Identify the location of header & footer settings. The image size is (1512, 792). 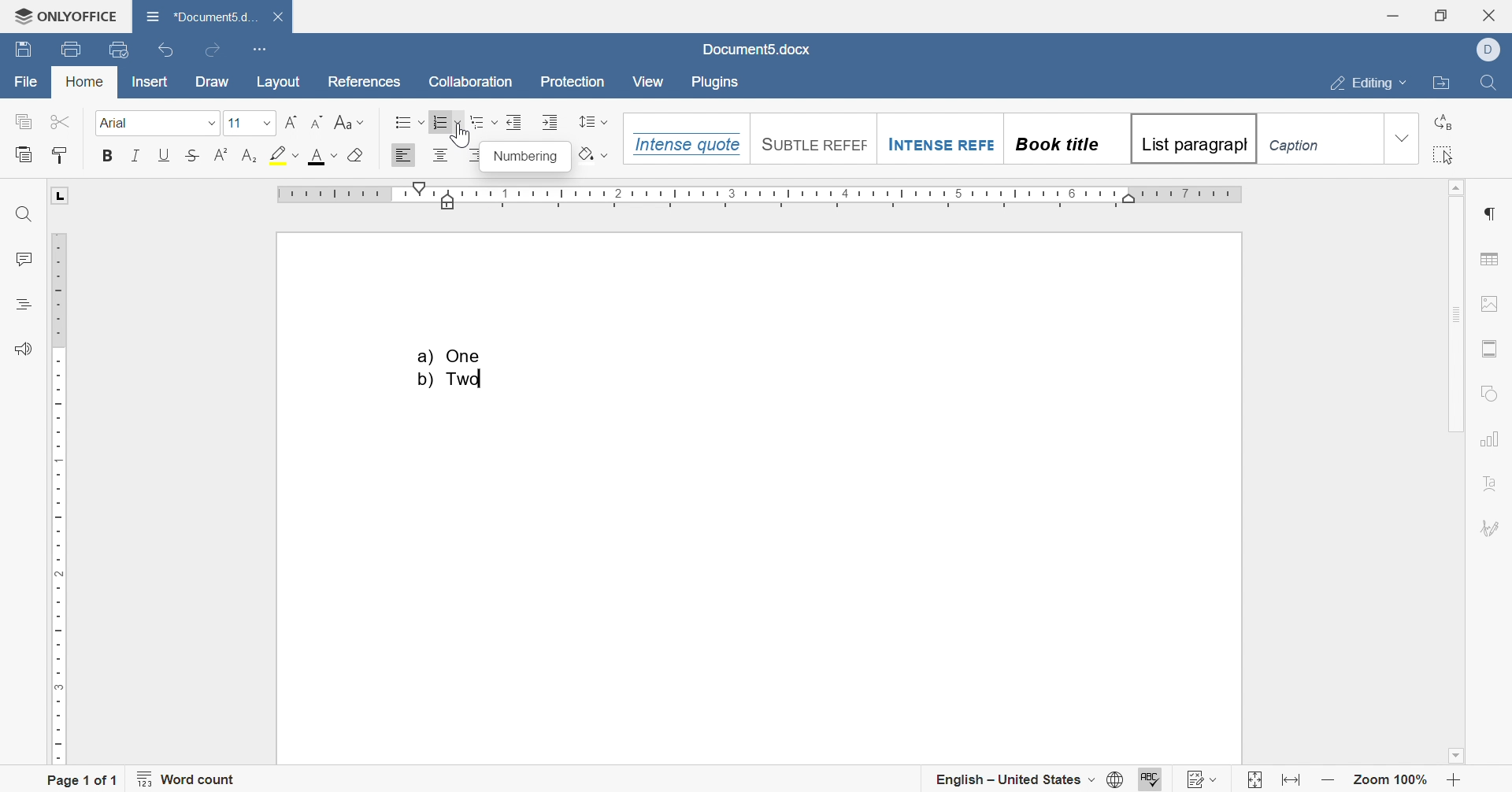
(1489, 347).